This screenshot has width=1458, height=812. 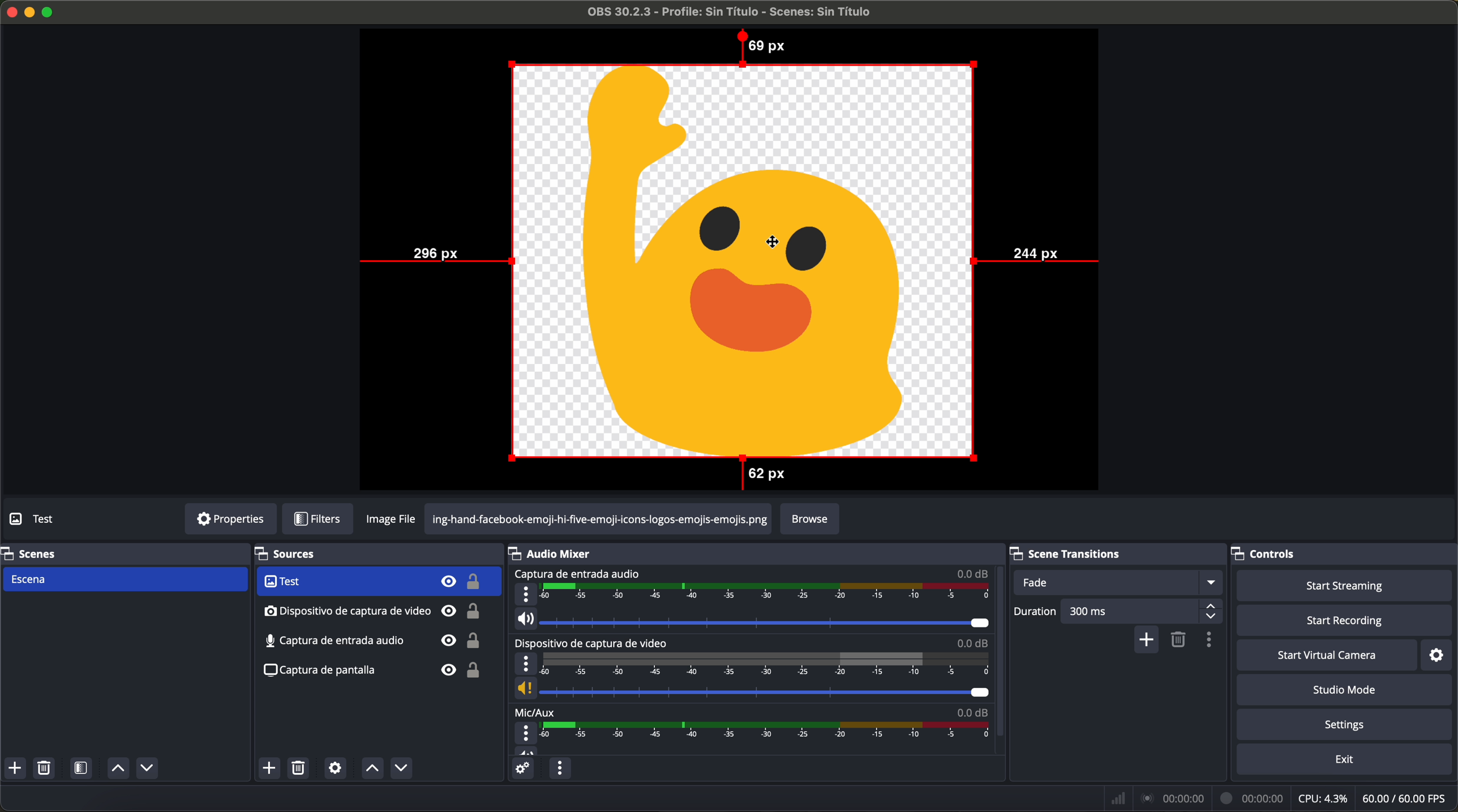 What do you see at coordinates (15, 768) in the screenshot?
I see `add scene` at bounding box center [15, 768].